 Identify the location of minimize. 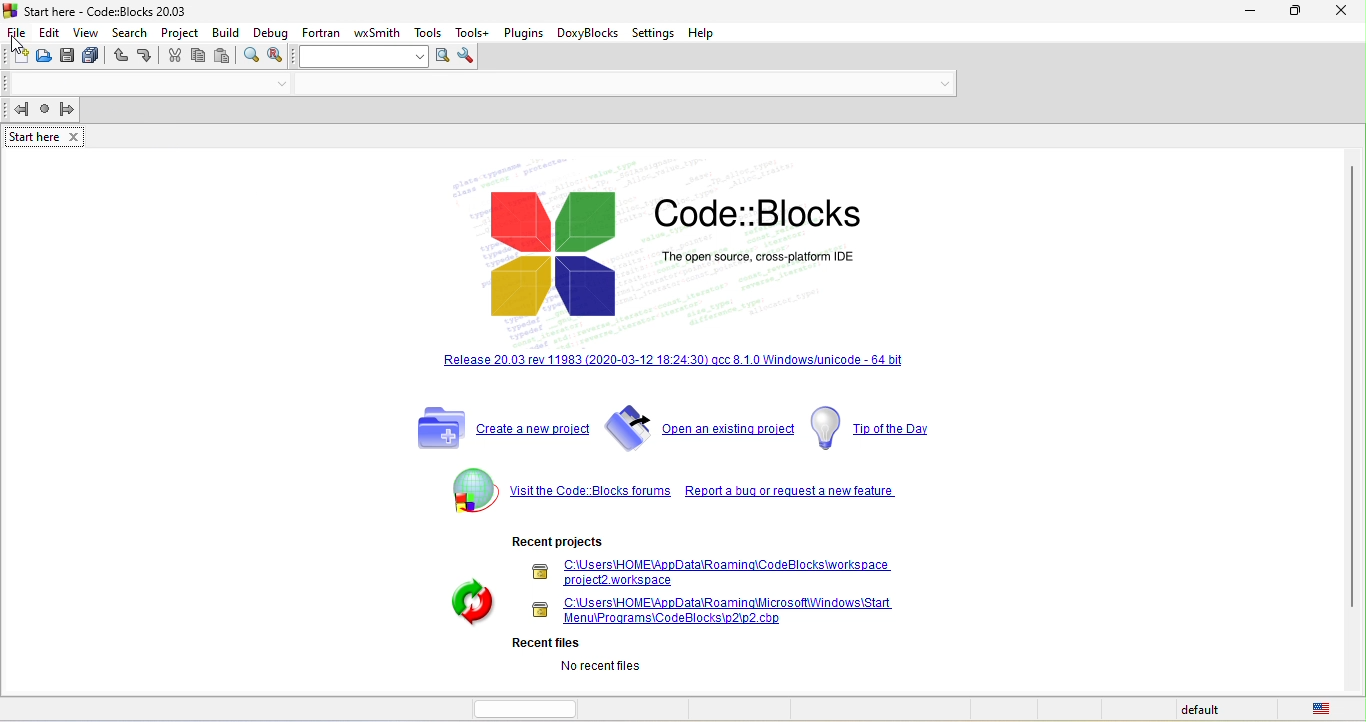
(1250, 12).